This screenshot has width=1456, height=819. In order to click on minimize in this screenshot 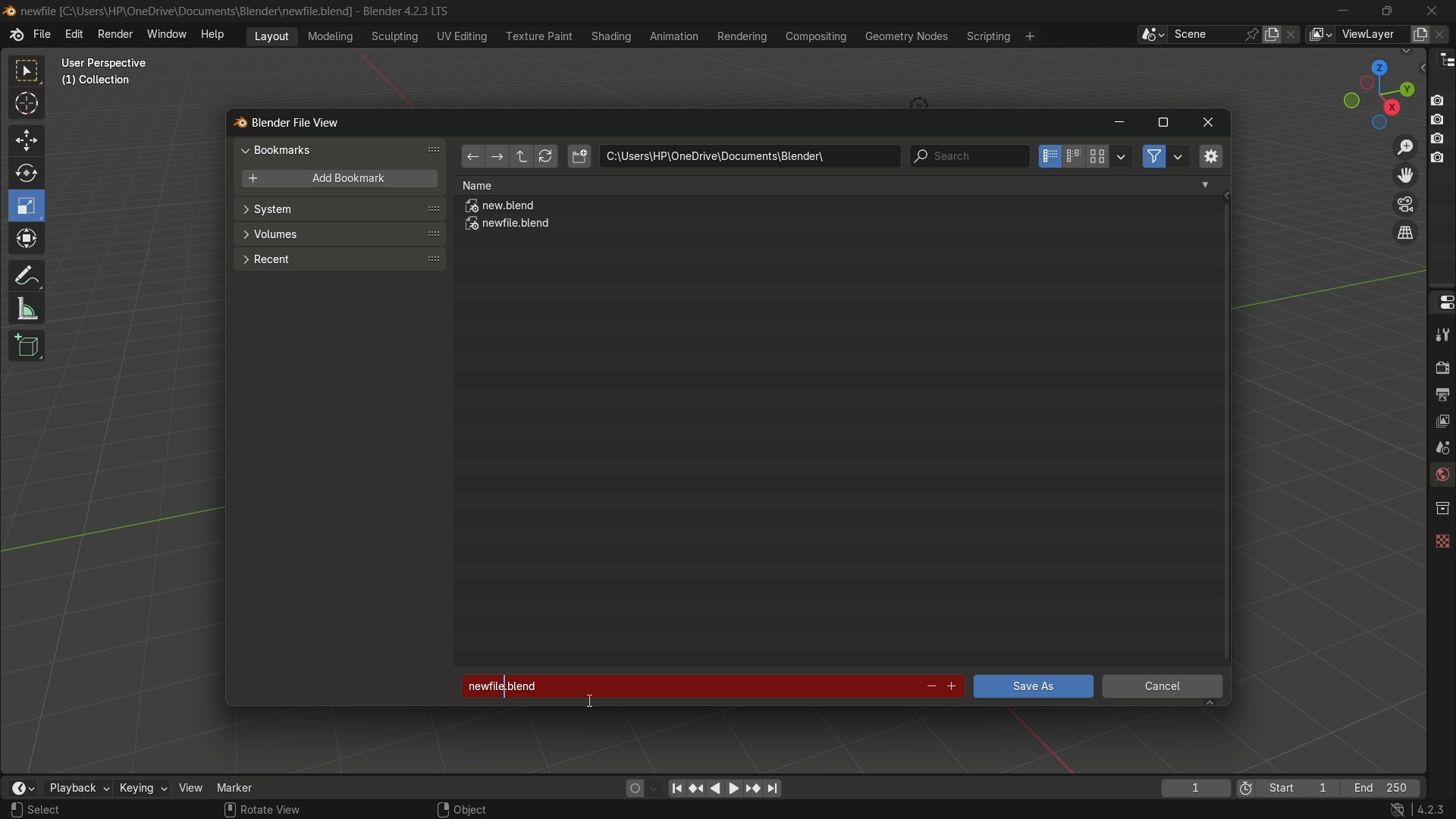, I will do `click(1344, 11)`.